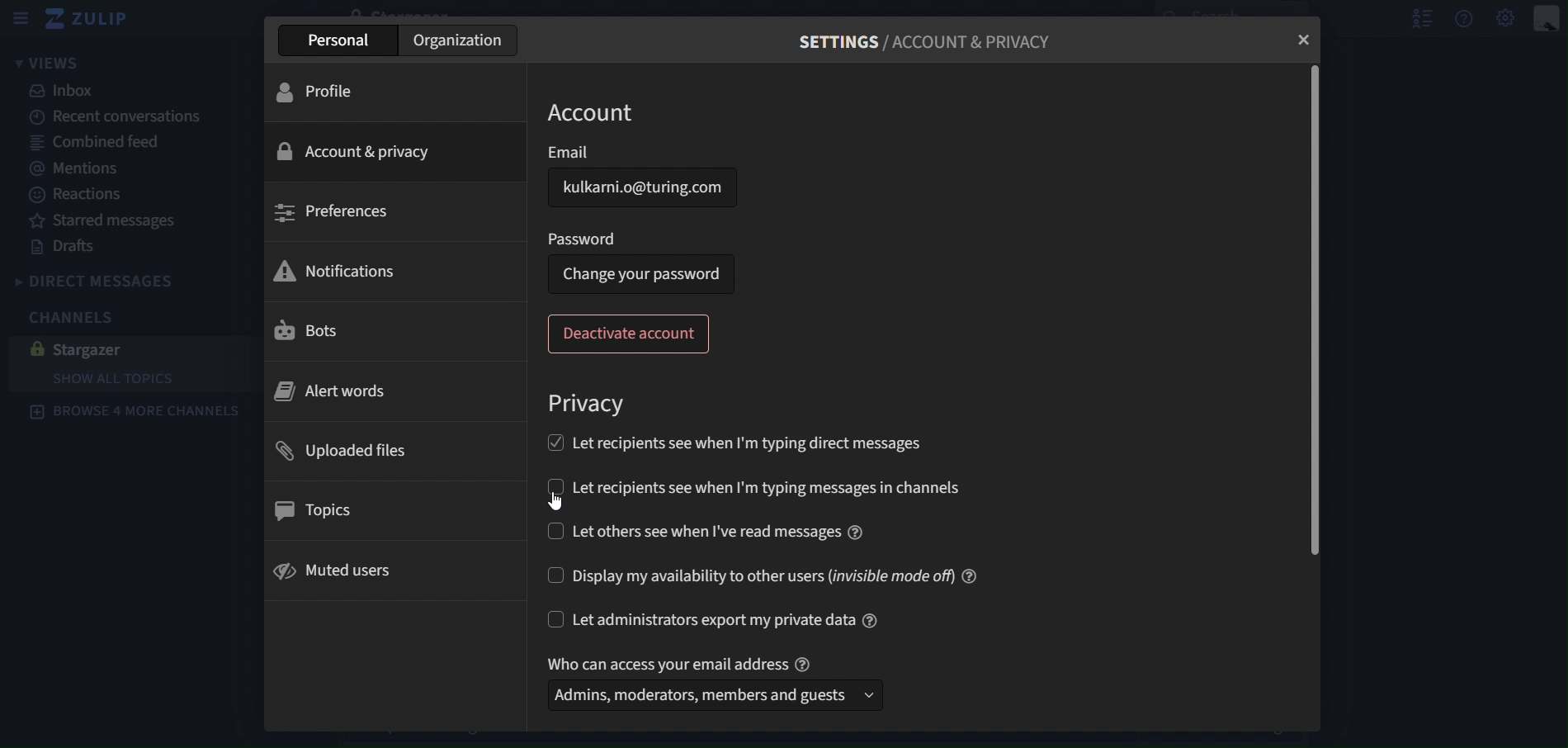 This screenshot has width=1568, height=748. Describe the element at coordinates (1543, 19) in the screenshot. I see `personal menu` at that location.